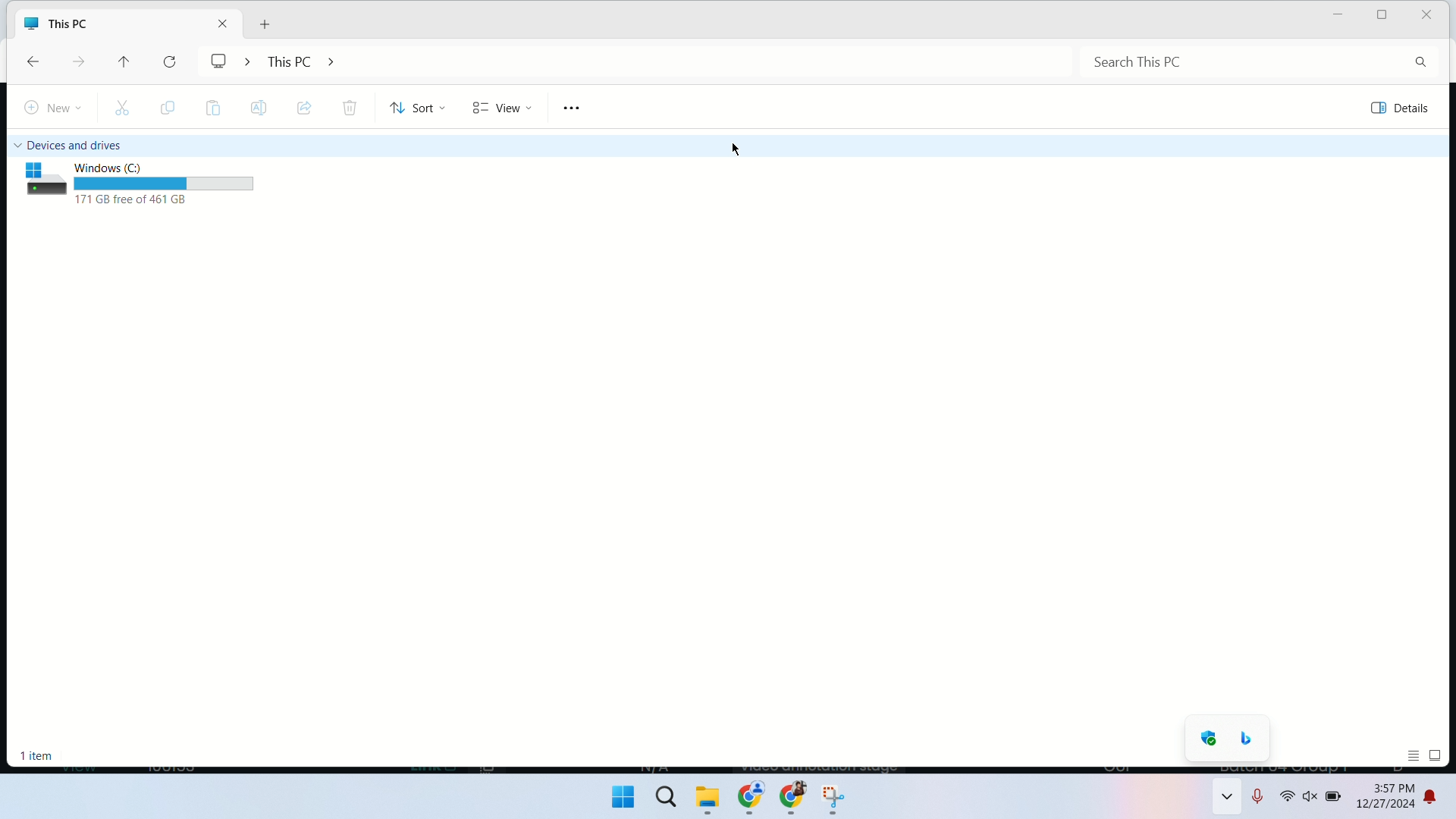 The image size is (1456, 819). Describe the element at coordinates (147, 200) in the screenshot. I see `space remaining` at that location.